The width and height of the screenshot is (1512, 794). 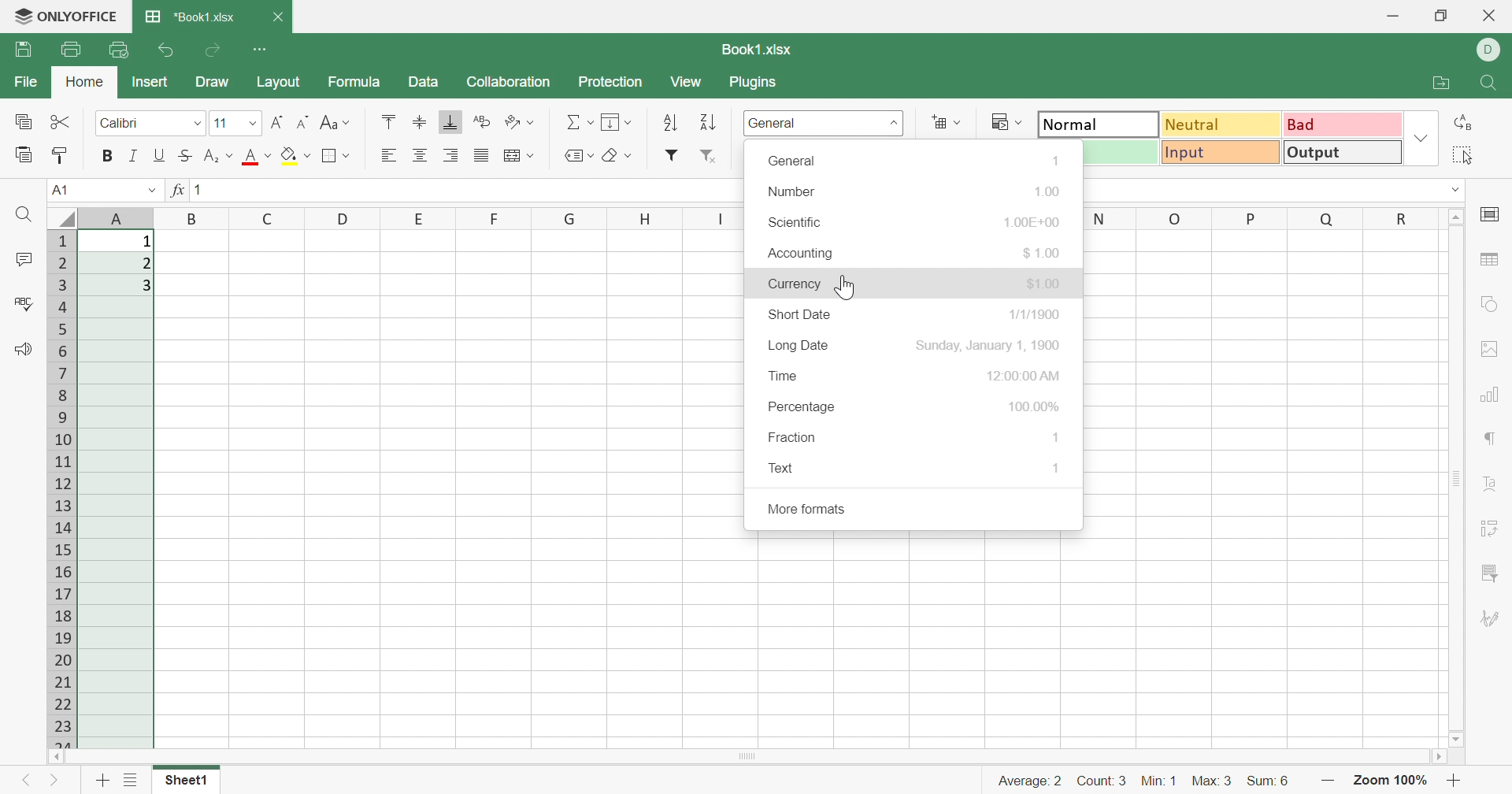 I want to click on Previous, so click(x=20, y=783).